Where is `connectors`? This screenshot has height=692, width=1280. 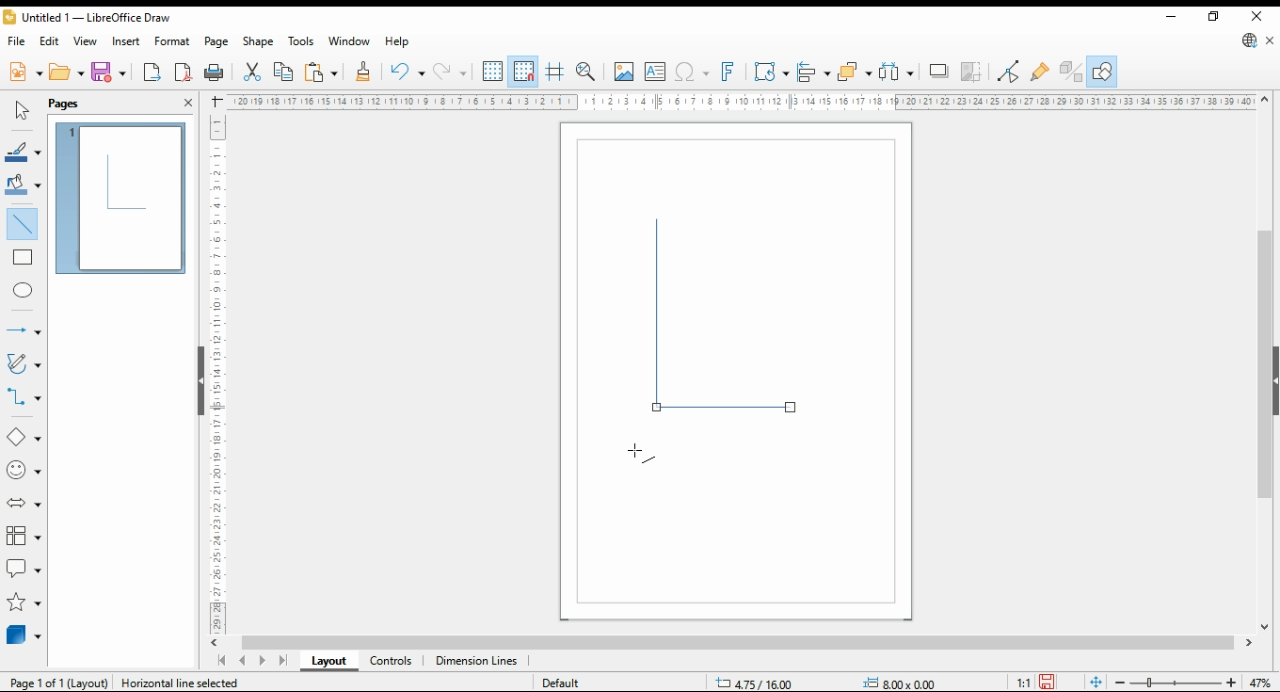 connectors is located at coordinates (24, 397).